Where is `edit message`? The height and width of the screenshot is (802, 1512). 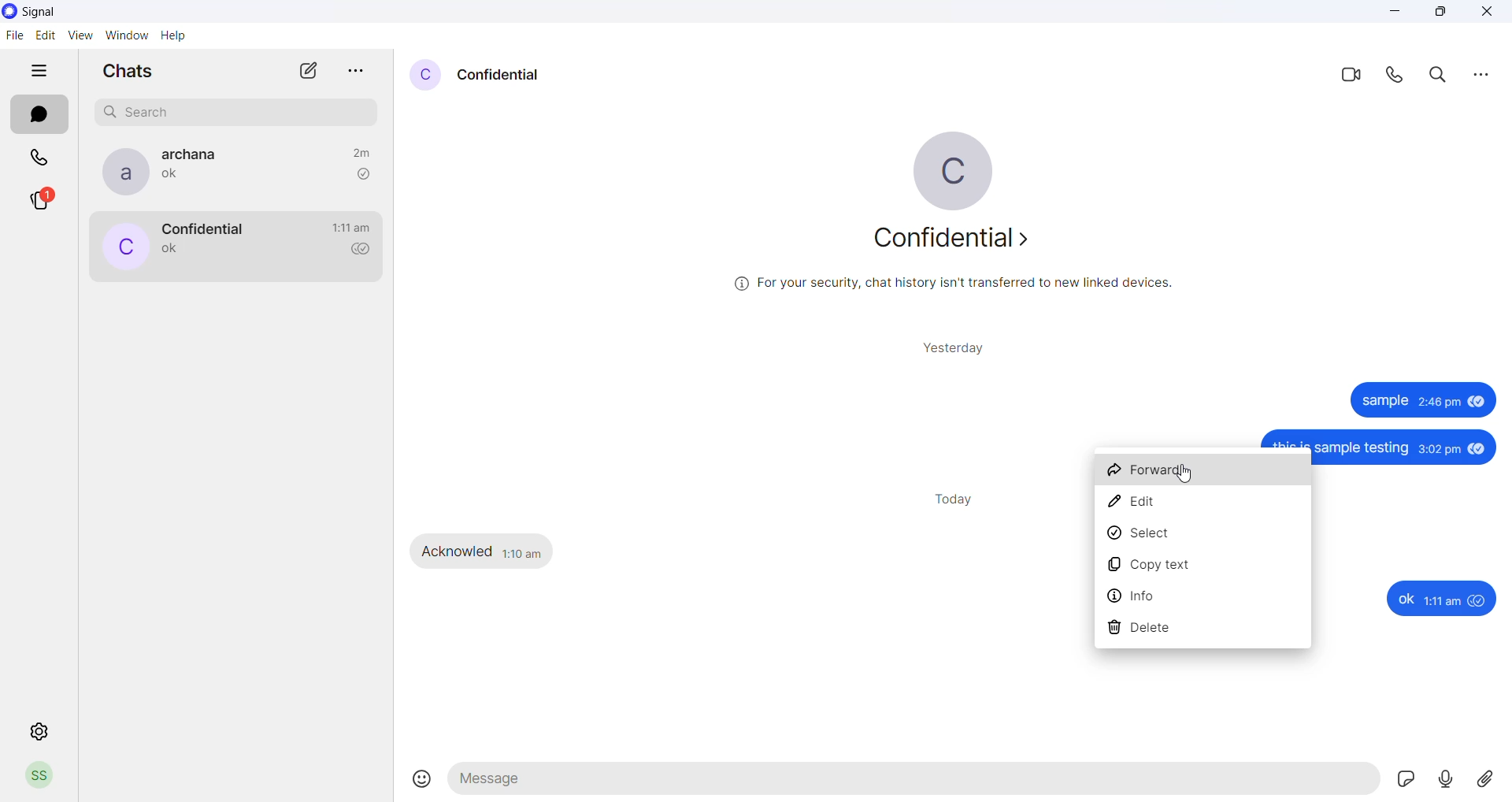
edit message is located at coordinates (1204, 507).